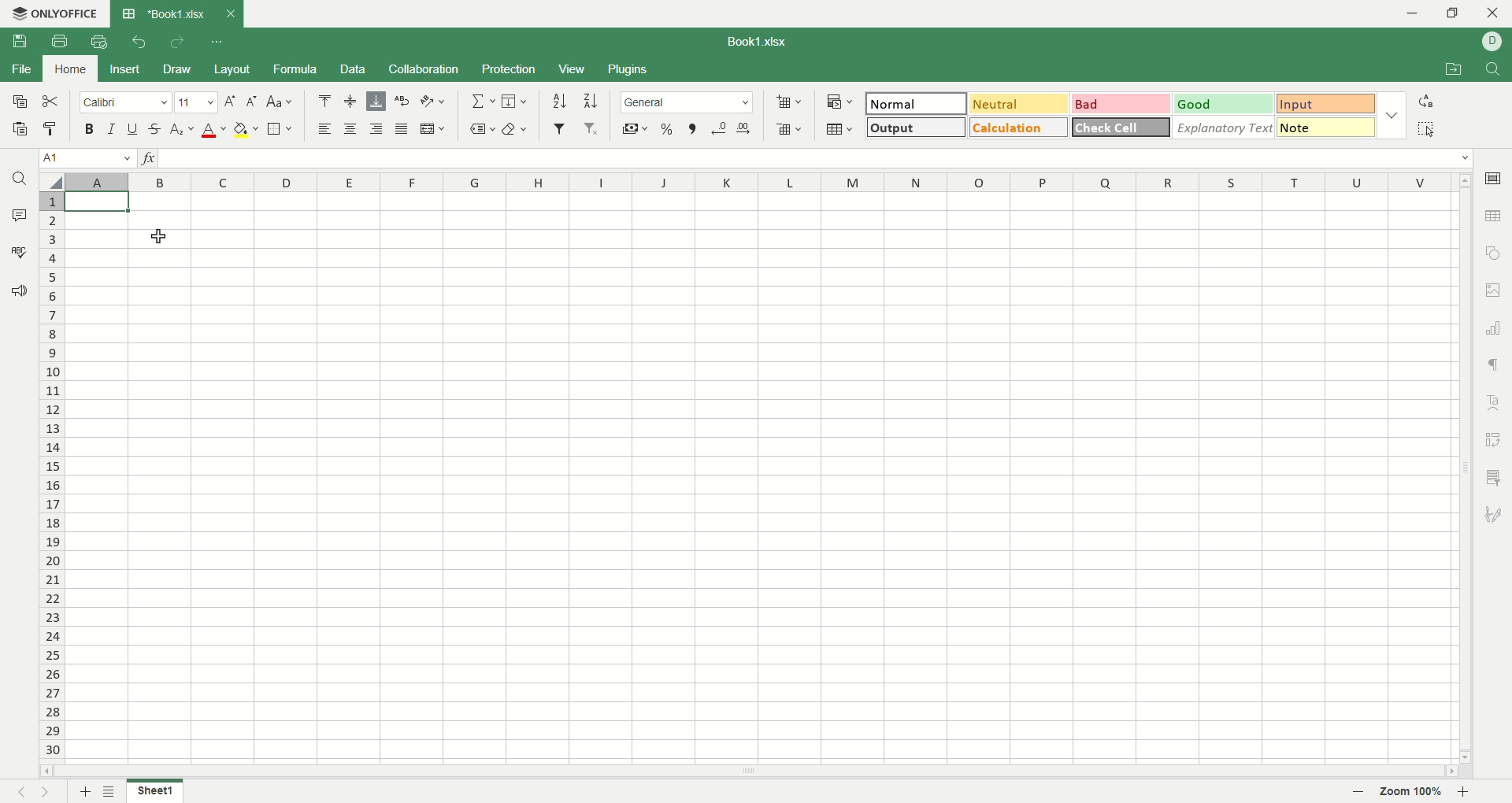  I want to click on conditional formatting, so click(841, 102).